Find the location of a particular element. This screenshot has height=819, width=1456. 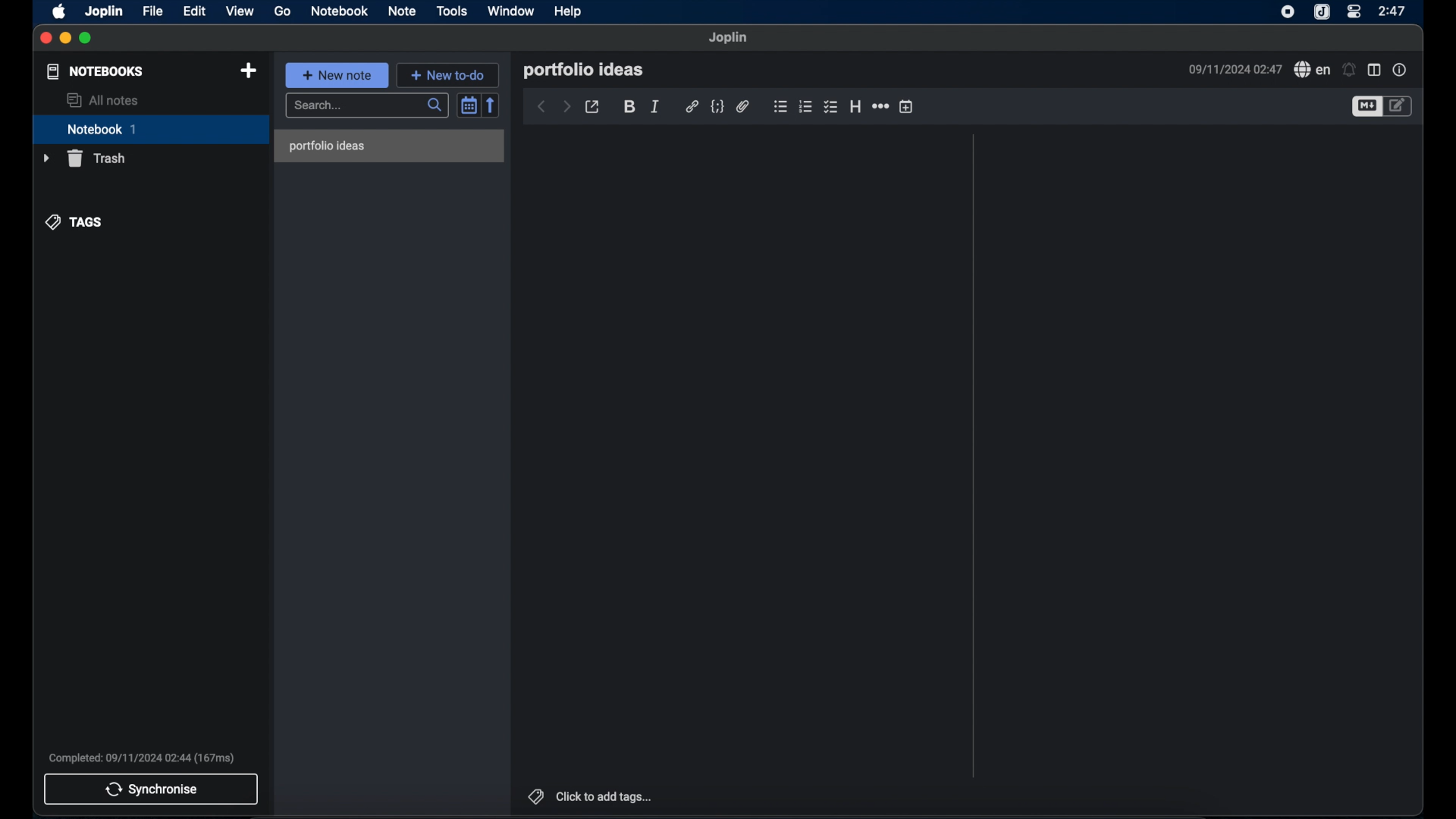

notebooks is located at coordinates (95, 71).